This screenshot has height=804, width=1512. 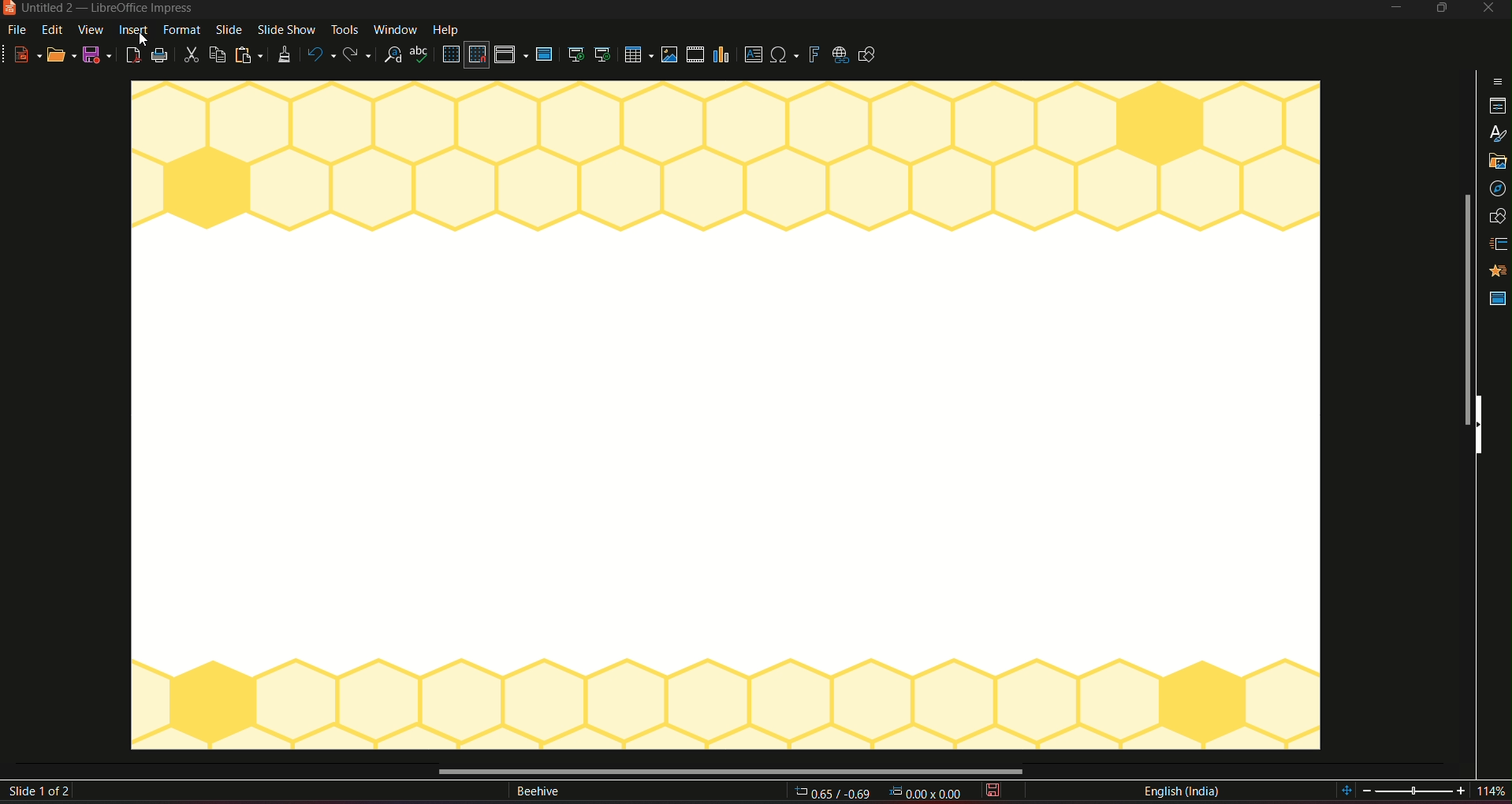 What do you see at coordinates (478, 55) in the screenshot?
I see `snap to grid` at bounding box center [478, 55].